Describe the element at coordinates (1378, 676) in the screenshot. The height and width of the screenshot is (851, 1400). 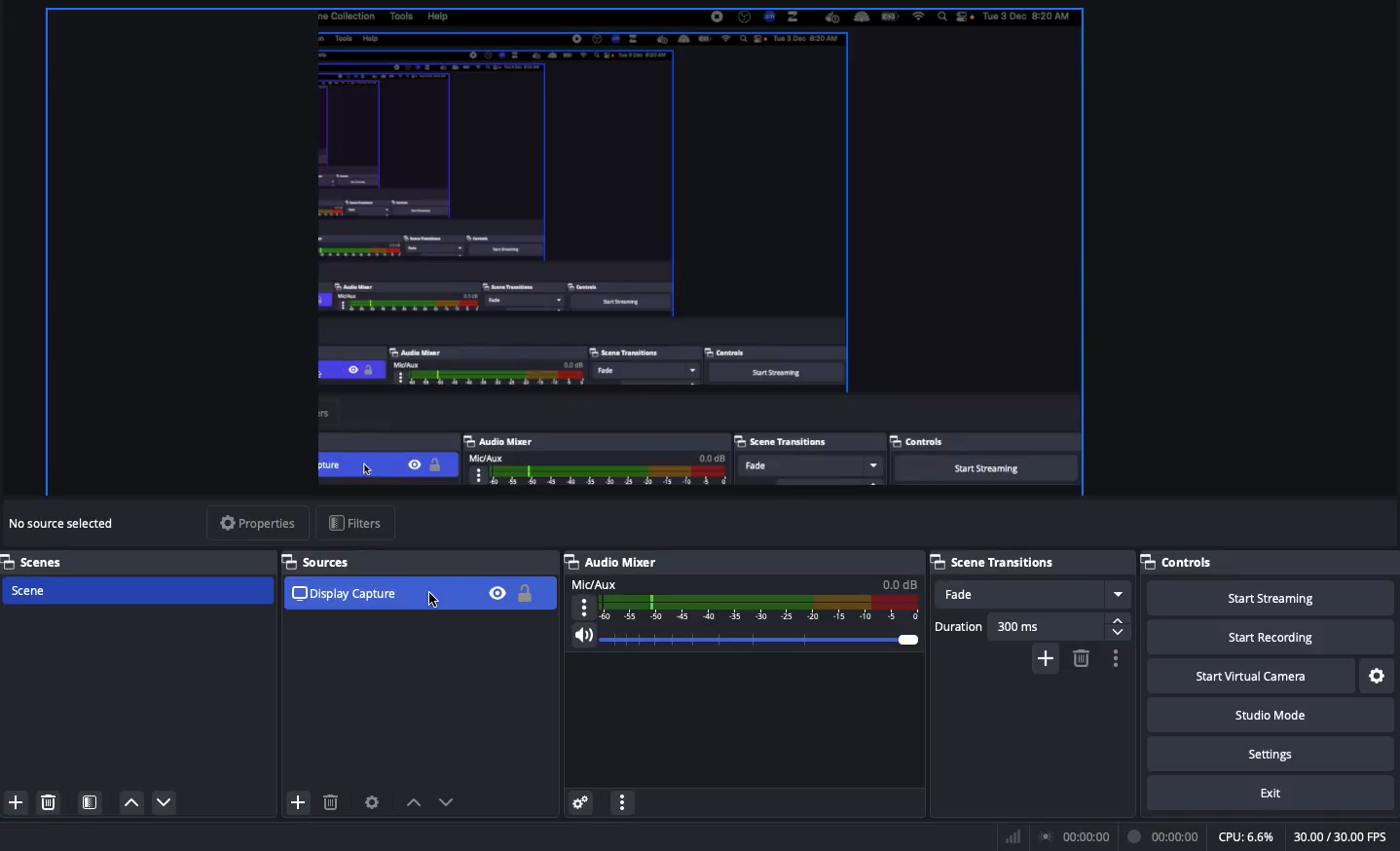
I see `Settings` at that location.